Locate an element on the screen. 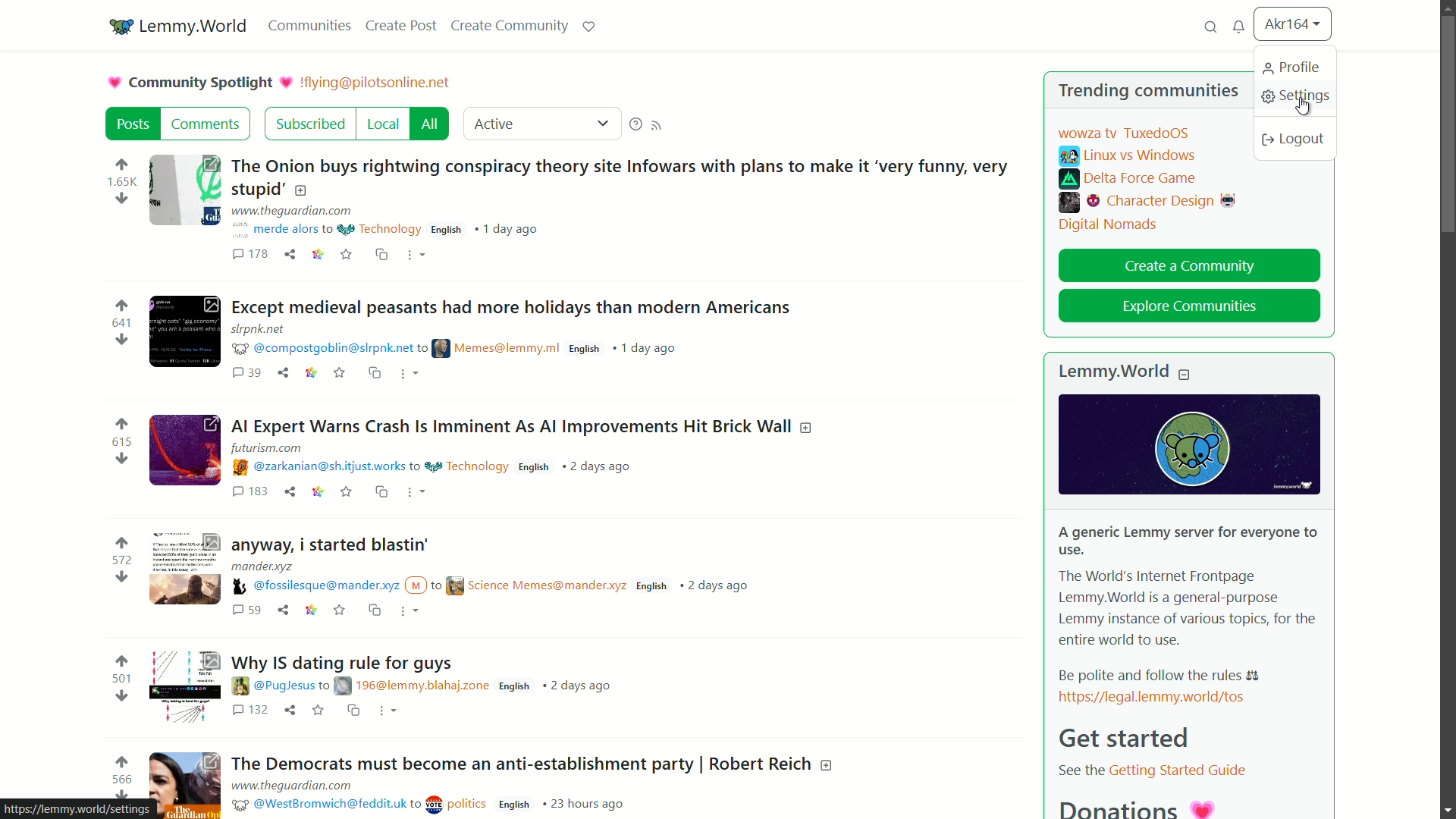 Image resolution: width=1456 pixels, height=819 pixels. local is located at coordinates (385, 124).